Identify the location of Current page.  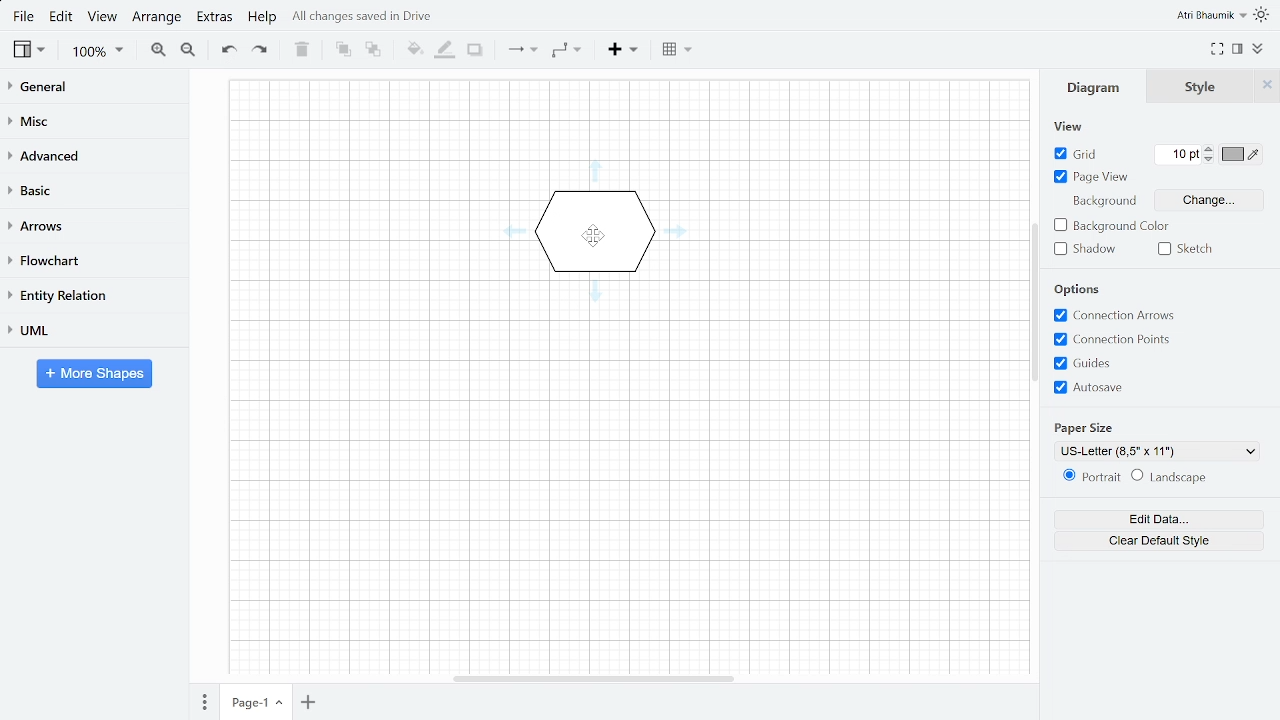
(255, 703).